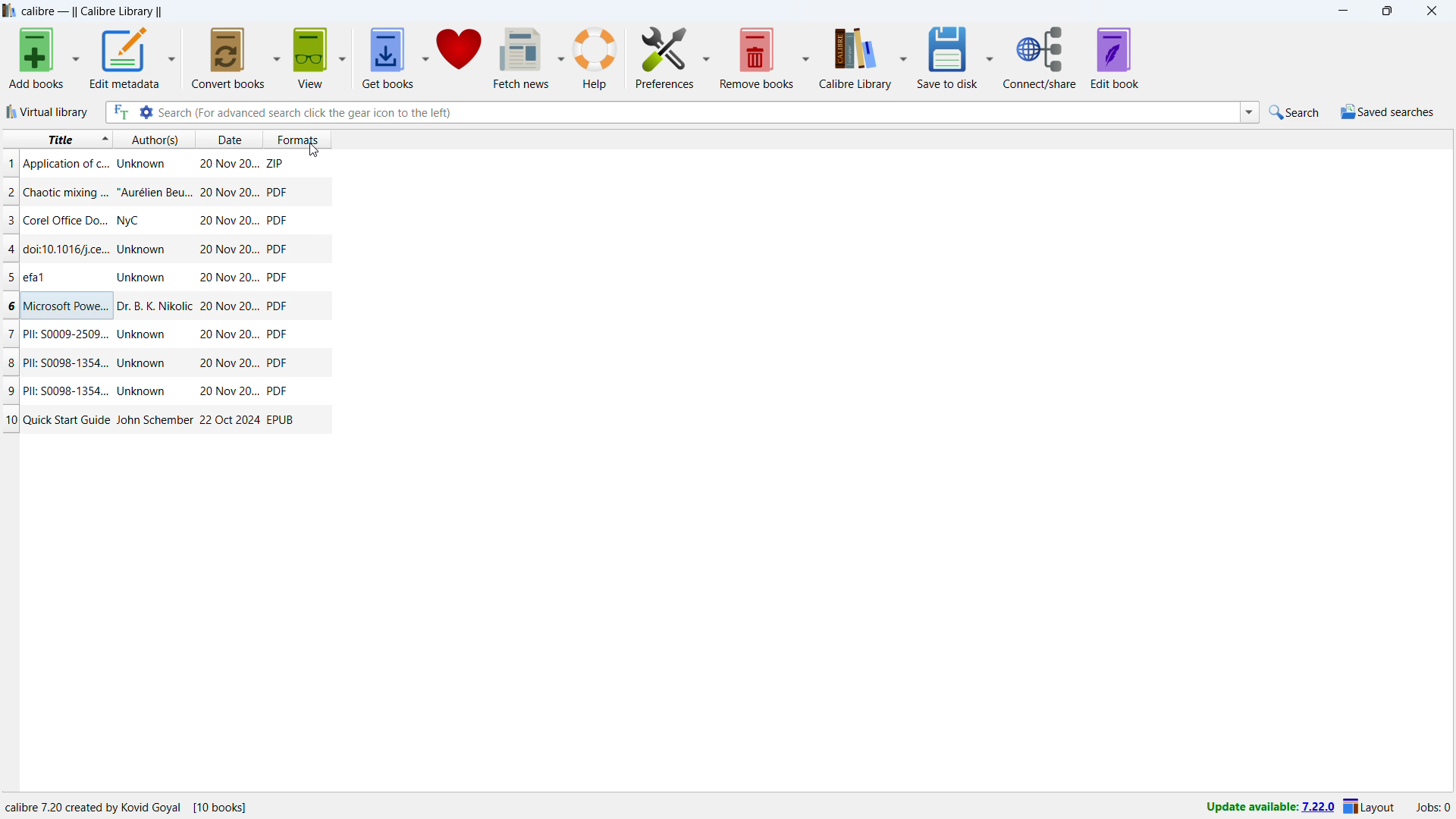 The width and height of the screenshot is (1456, 819). I want to click on PDF, so click(280, 363).